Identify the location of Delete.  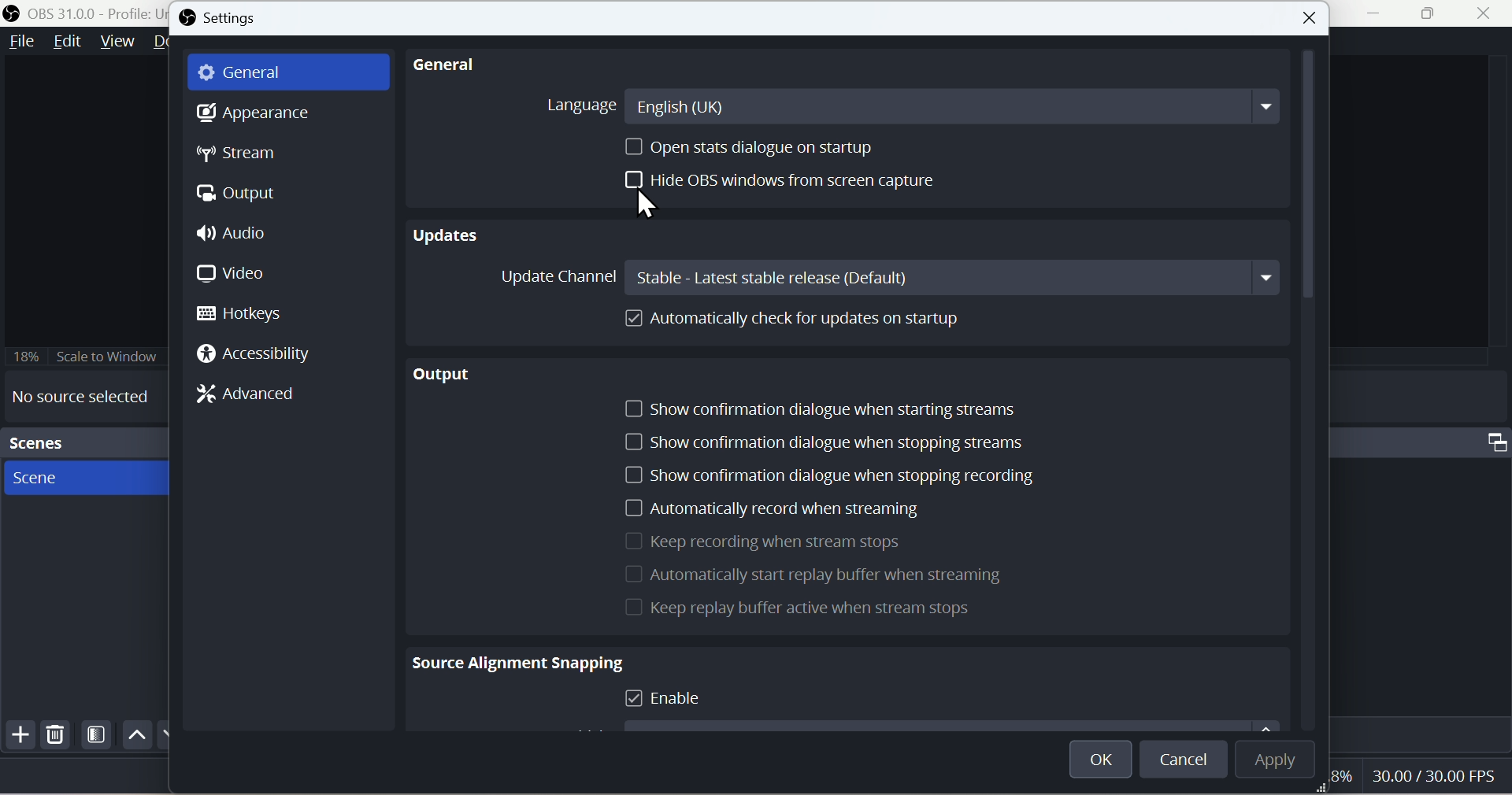
(57, 734).